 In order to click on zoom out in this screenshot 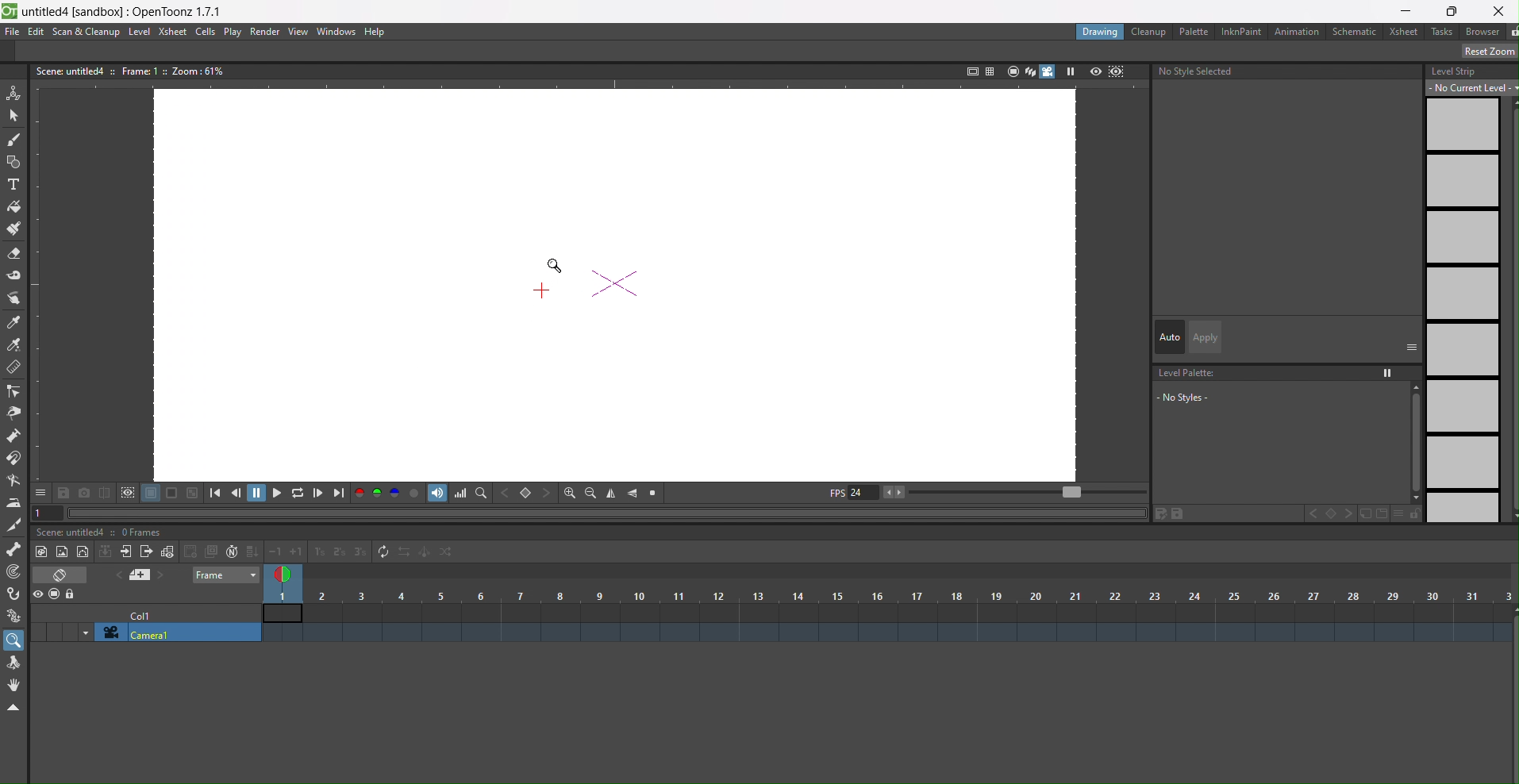, I will do `click(590, 492)`.